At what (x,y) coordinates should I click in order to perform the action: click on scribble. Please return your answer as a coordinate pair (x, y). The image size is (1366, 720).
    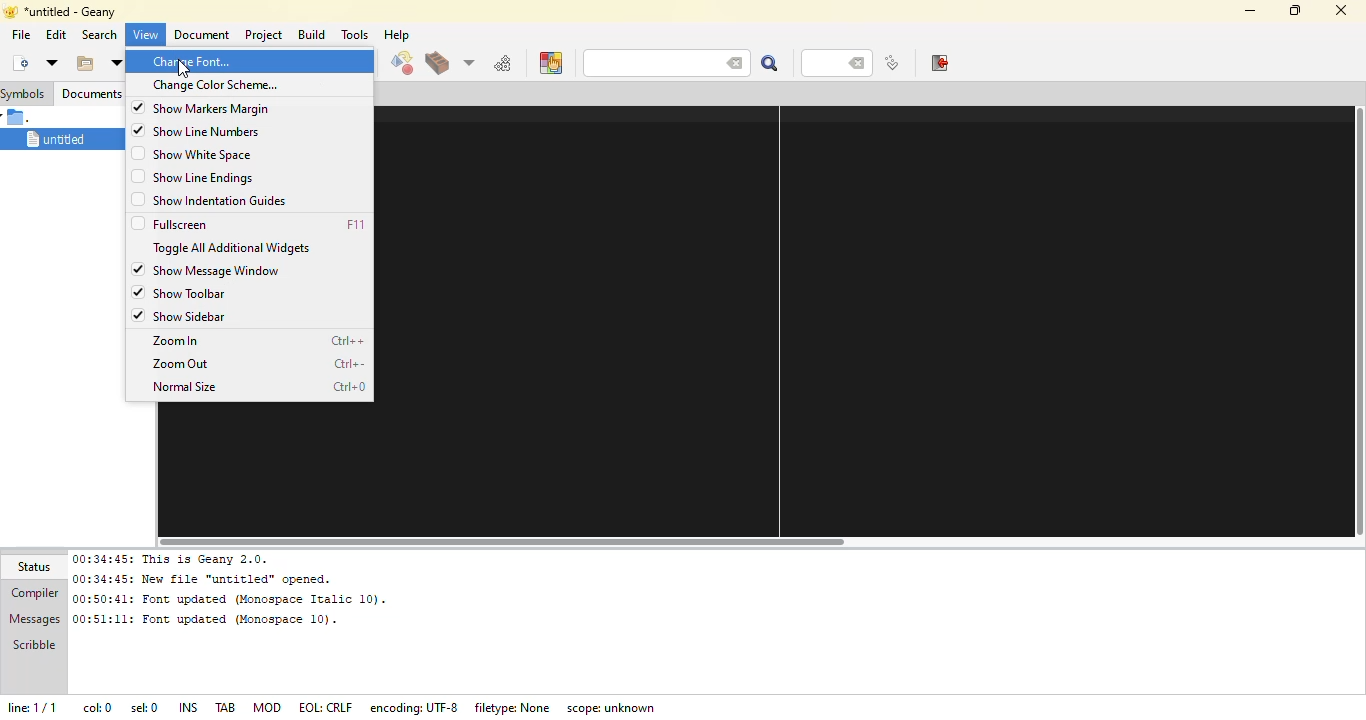
    Looking at the image, I should click on (31, 647).